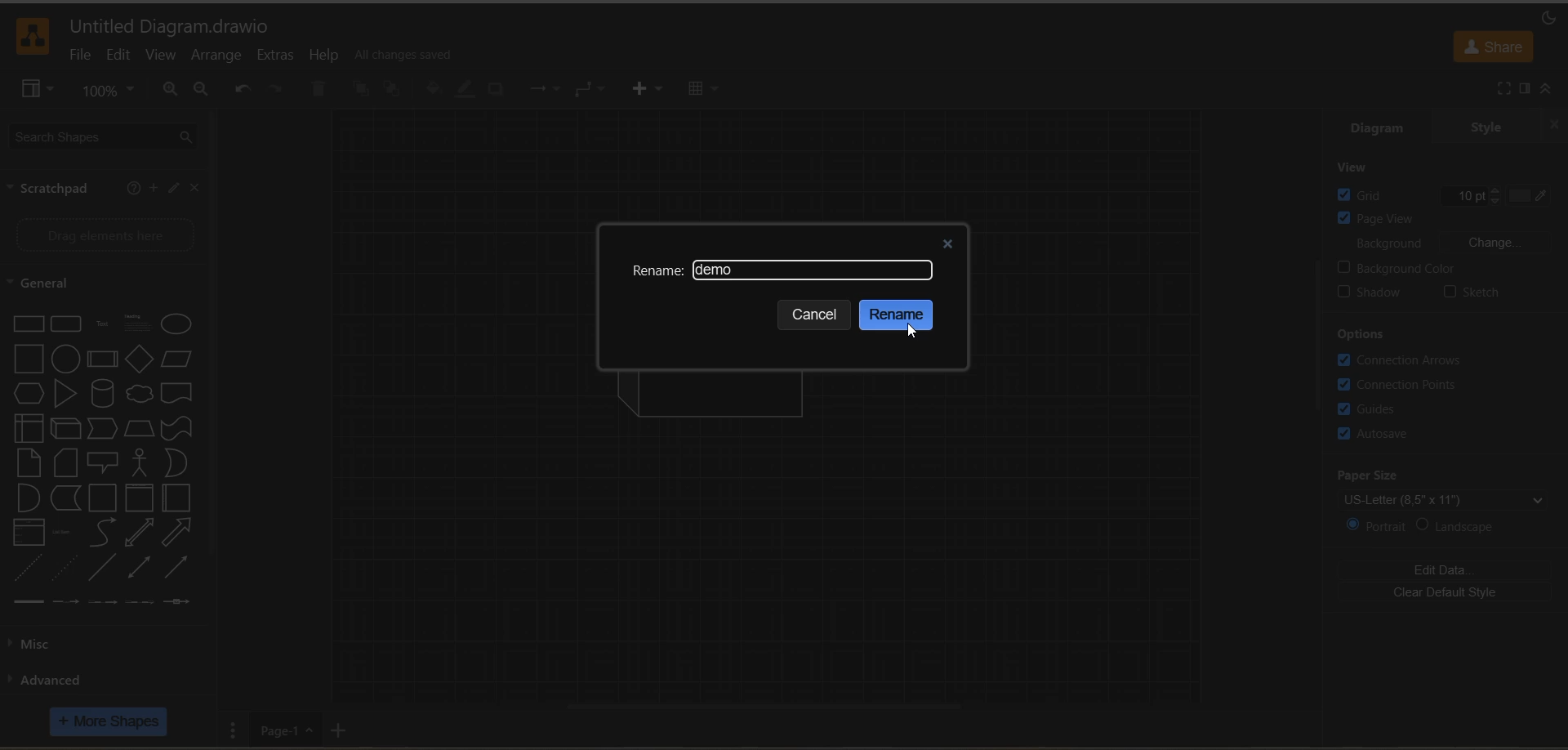  I want to click on paper size, so click(1452, 488).